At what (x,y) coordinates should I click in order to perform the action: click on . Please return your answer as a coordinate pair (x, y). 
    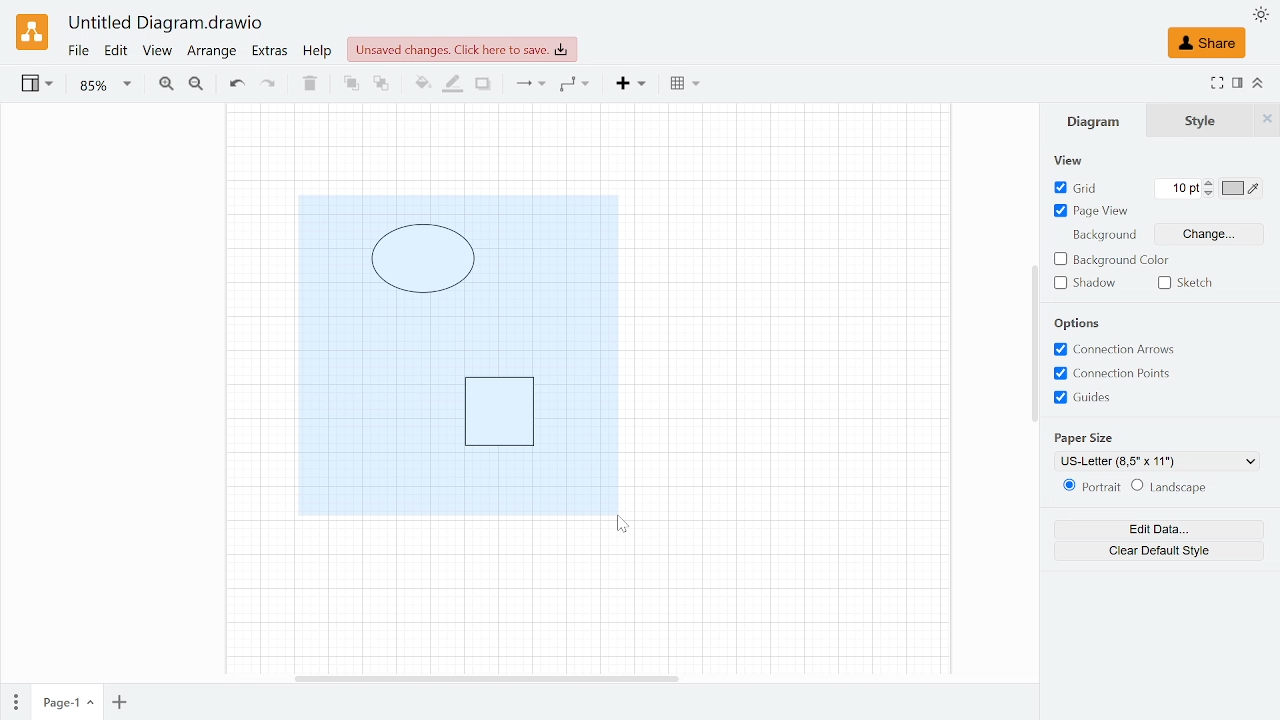
    Looking at the image, I should click on (1218, 83).